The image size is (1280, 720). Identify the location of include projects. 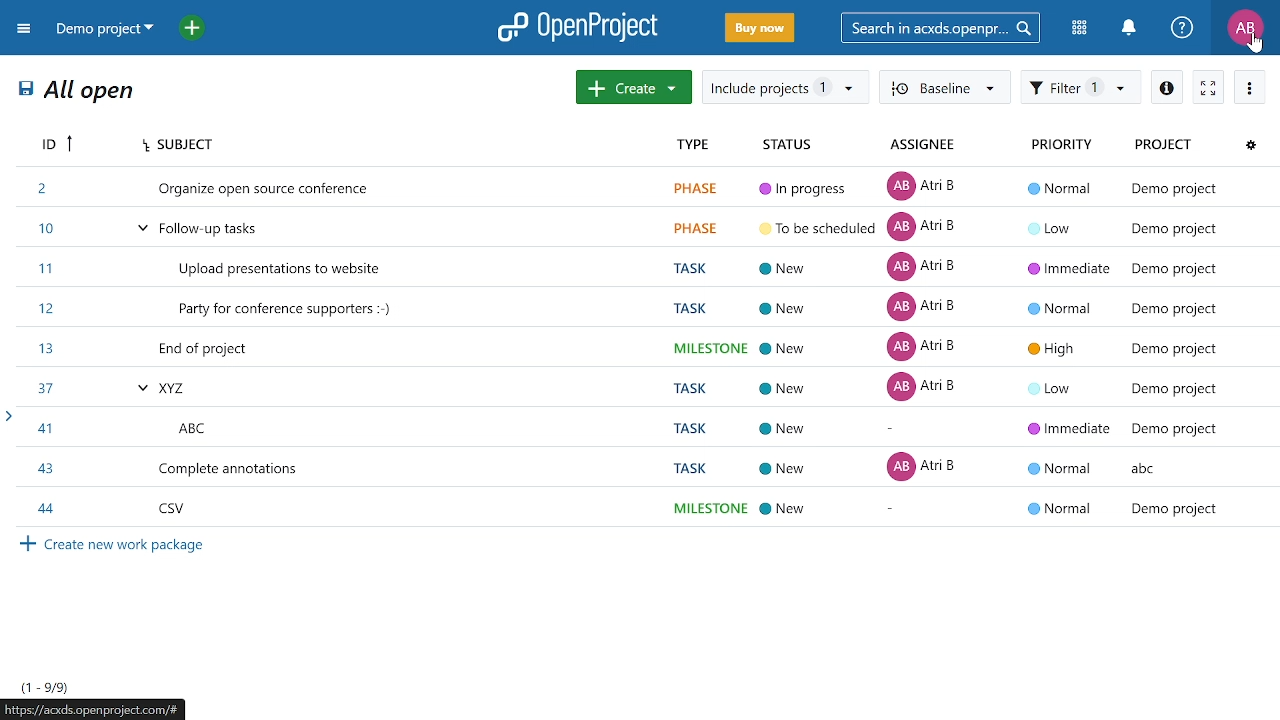
(783, 87).